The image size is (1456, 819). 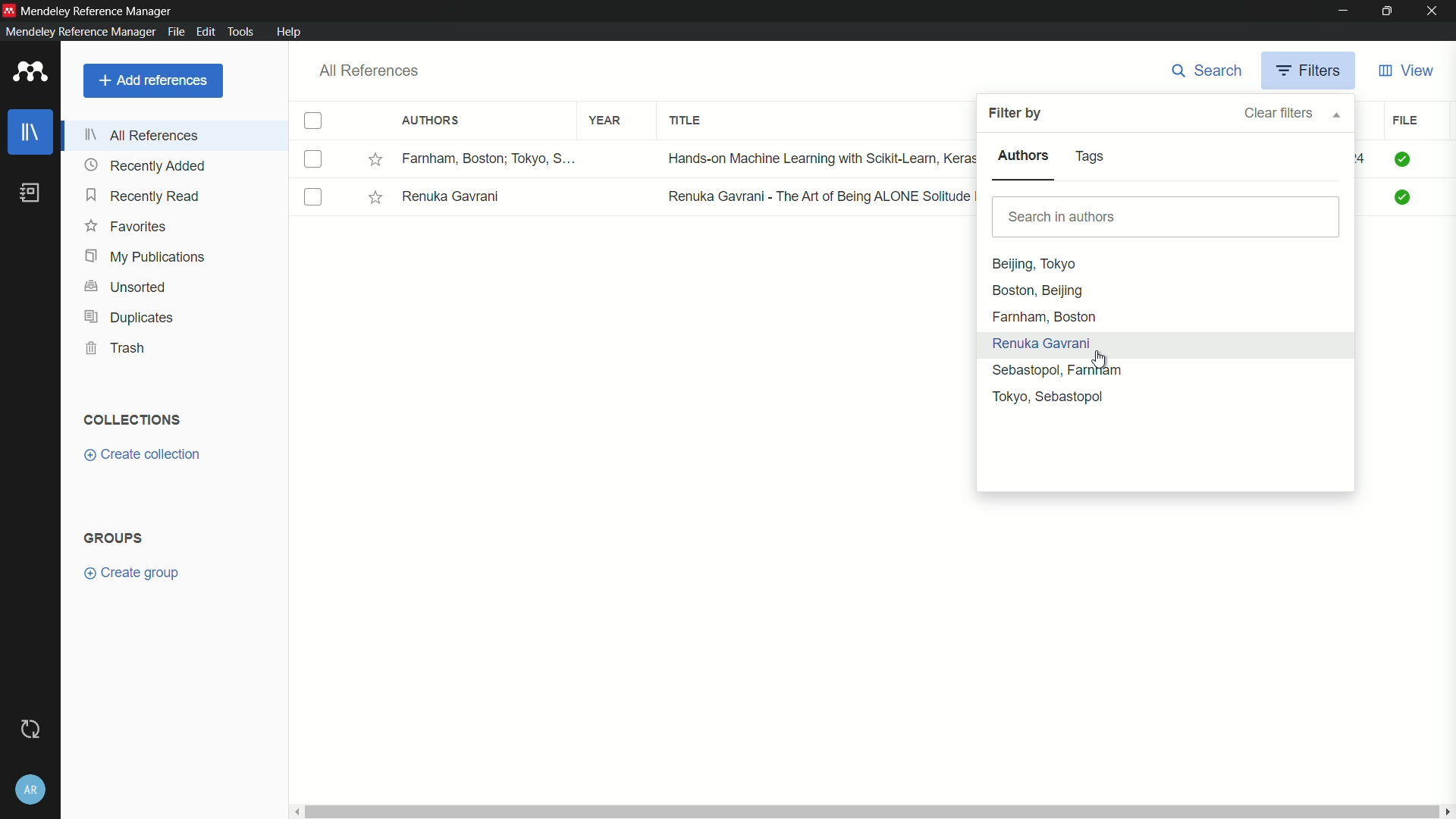 What do you see at coordinates (1338, 10) in the screenshot?
I see `minimize` at bounding box center [1338, 10].